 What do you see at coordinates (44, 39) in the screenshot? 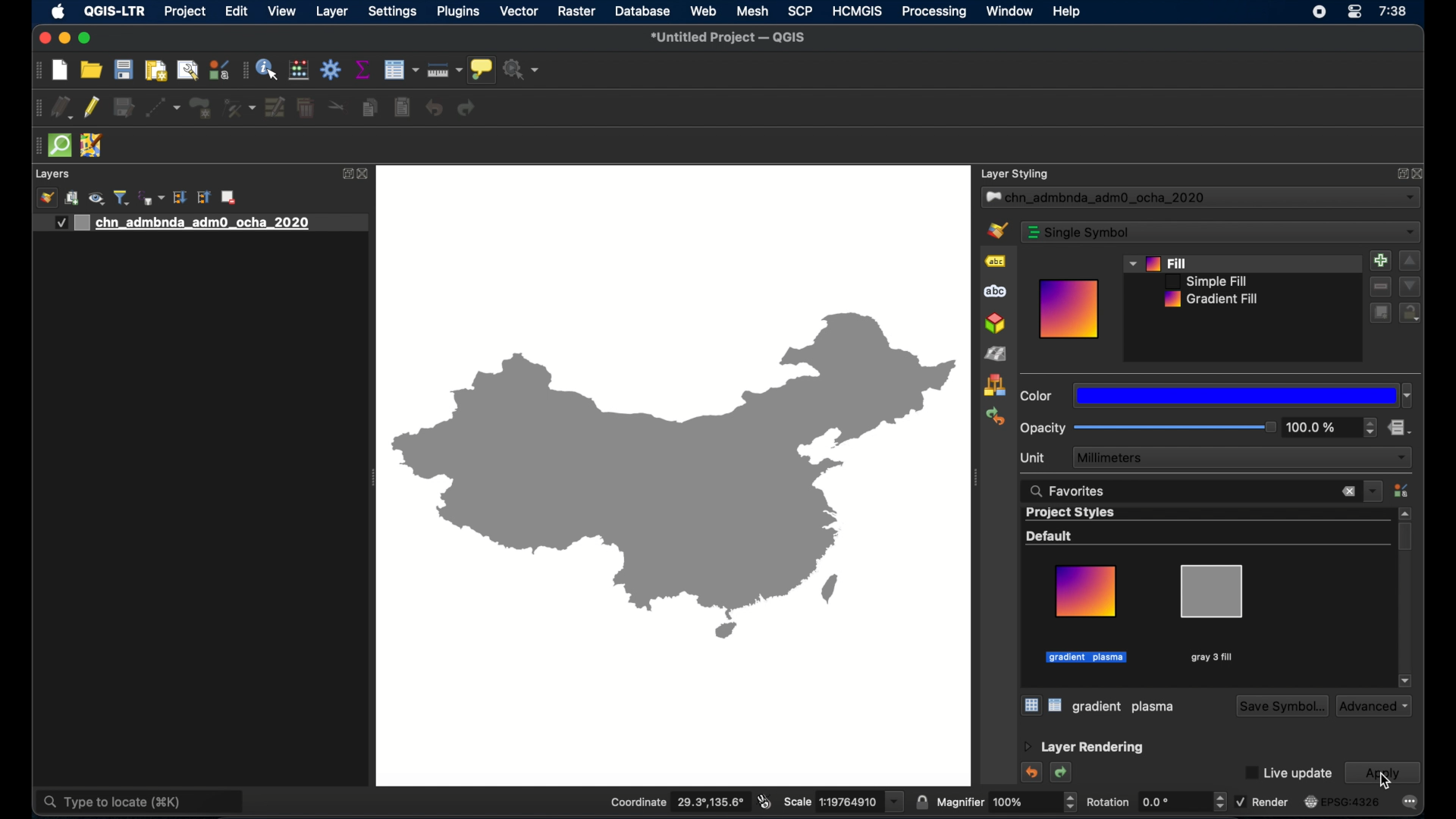
I see `close` at bounding box center [44, 39].